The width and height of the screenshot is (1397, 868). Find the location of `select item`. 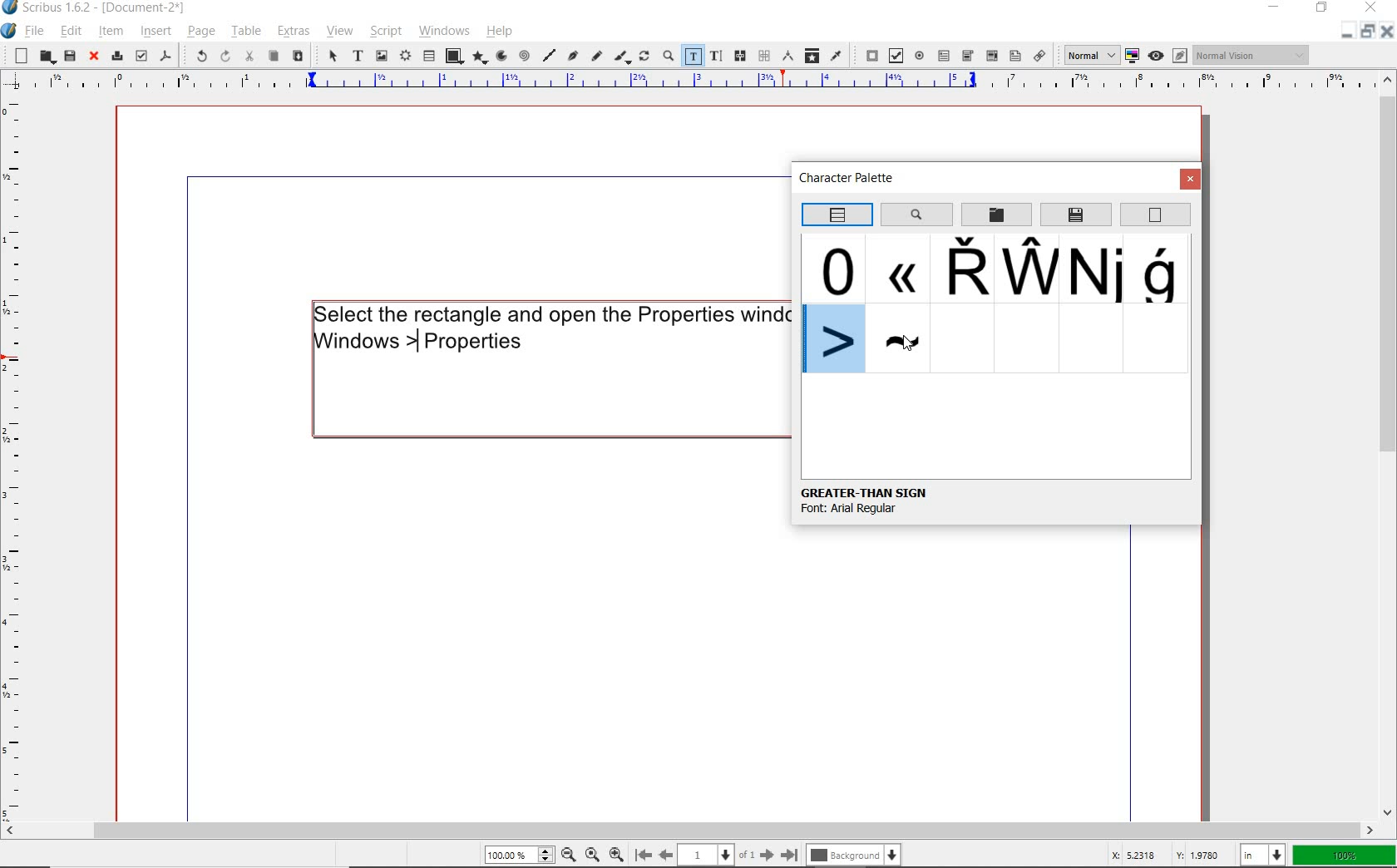

select item is located at coordinates (332, 57).